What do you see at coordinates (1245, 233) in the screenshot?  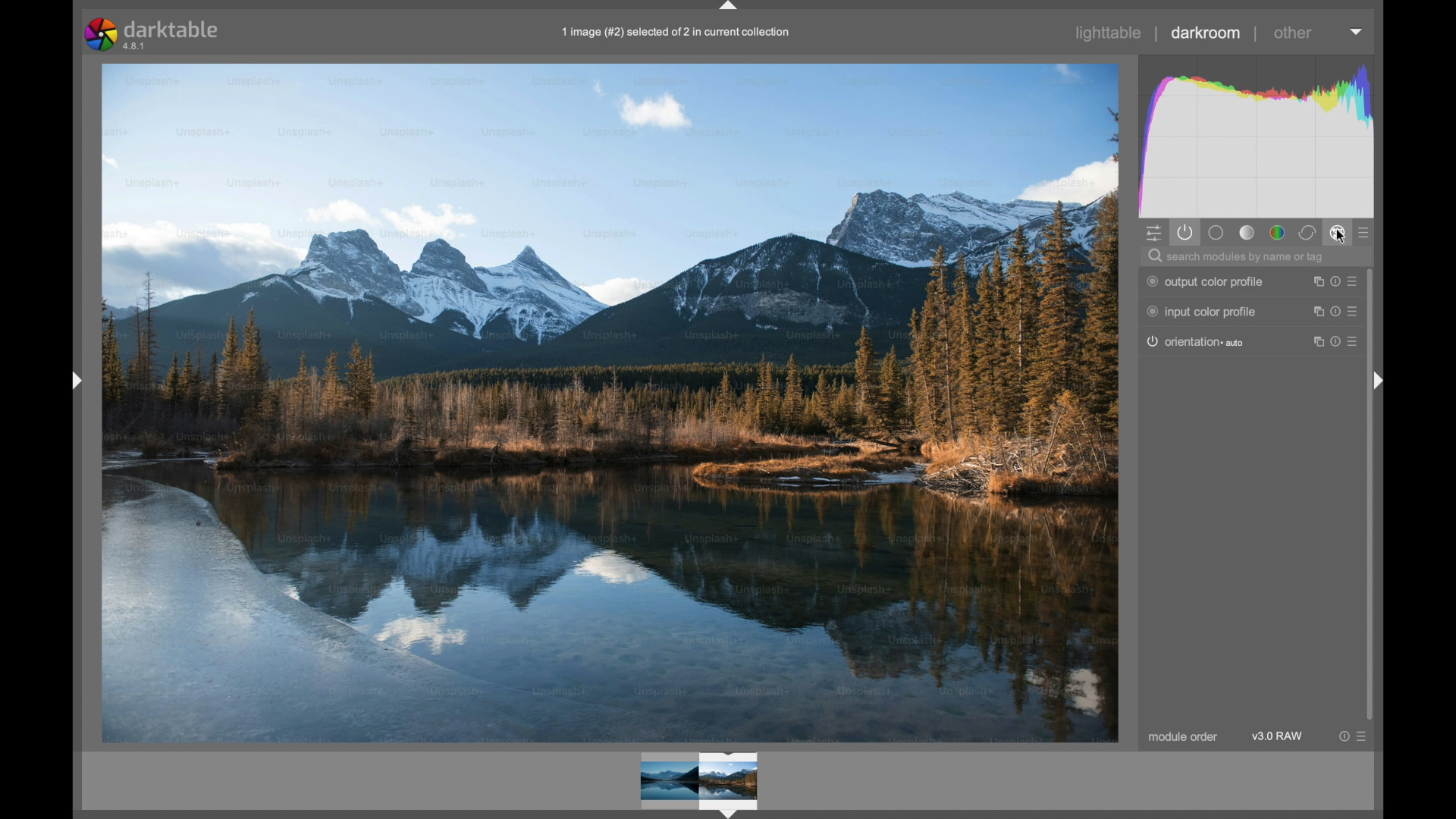 I see `tone` at bounding box center [1245, 233].